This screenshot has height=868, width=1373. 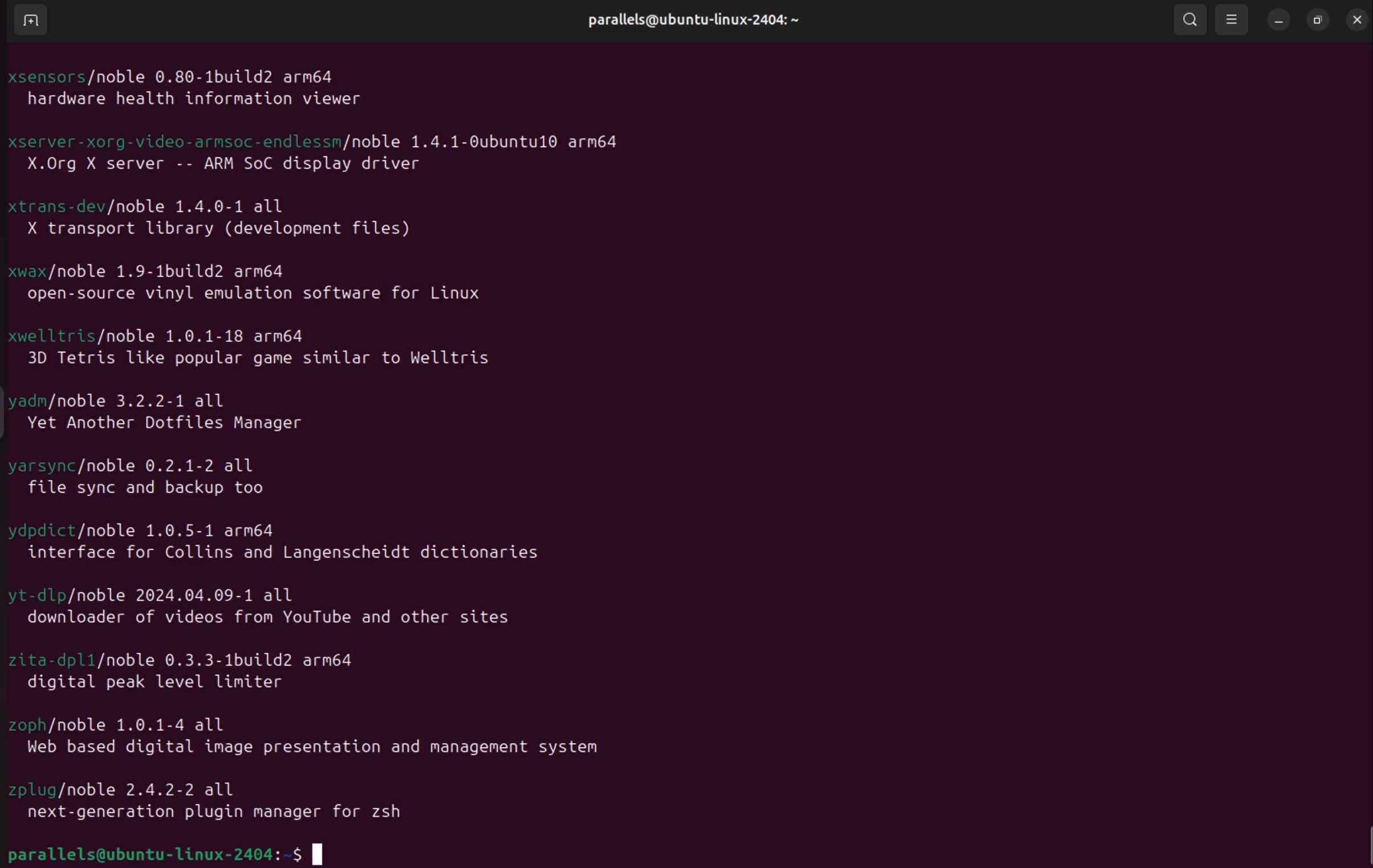 I want to click on xsensors/noble 0.80-1build2 armé4
hardware health information viewer, so click(x=206, y=83).